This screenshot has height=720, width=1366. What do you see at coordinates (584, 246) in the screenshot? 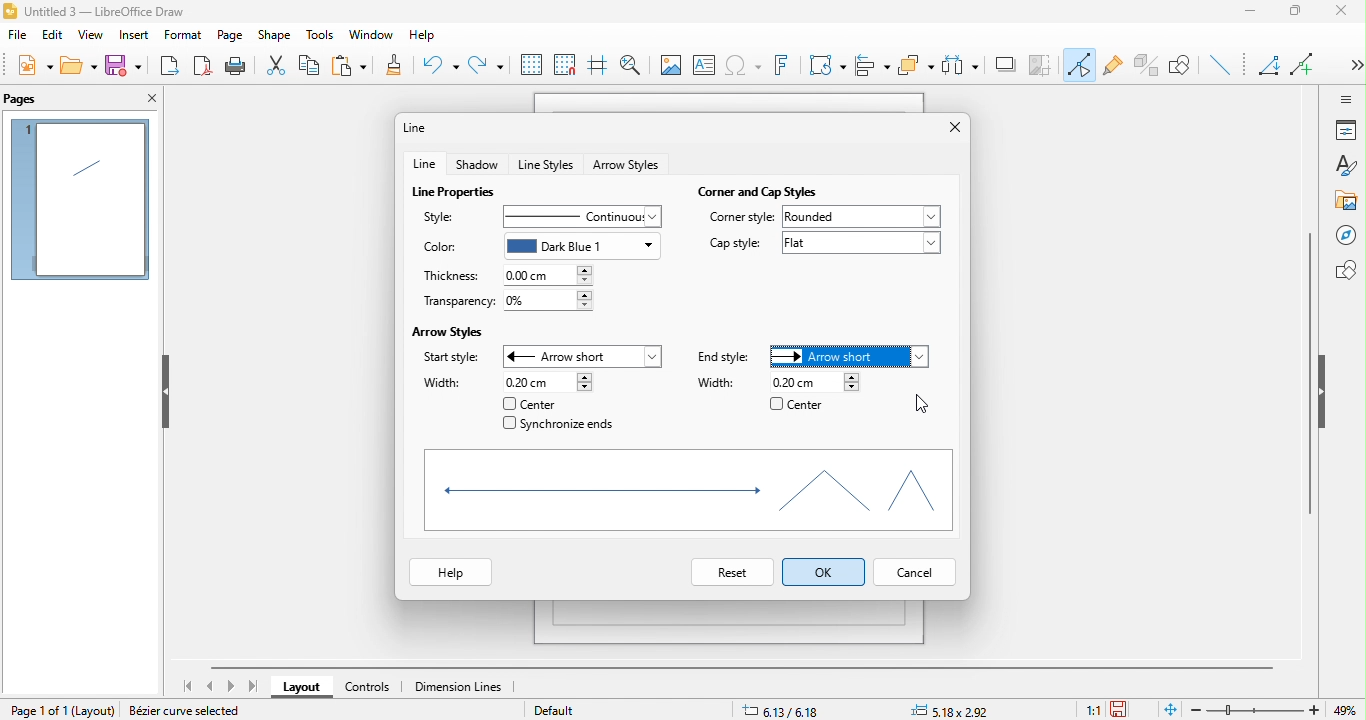
I see `dark blue 1` at bounding box center [584, 246].